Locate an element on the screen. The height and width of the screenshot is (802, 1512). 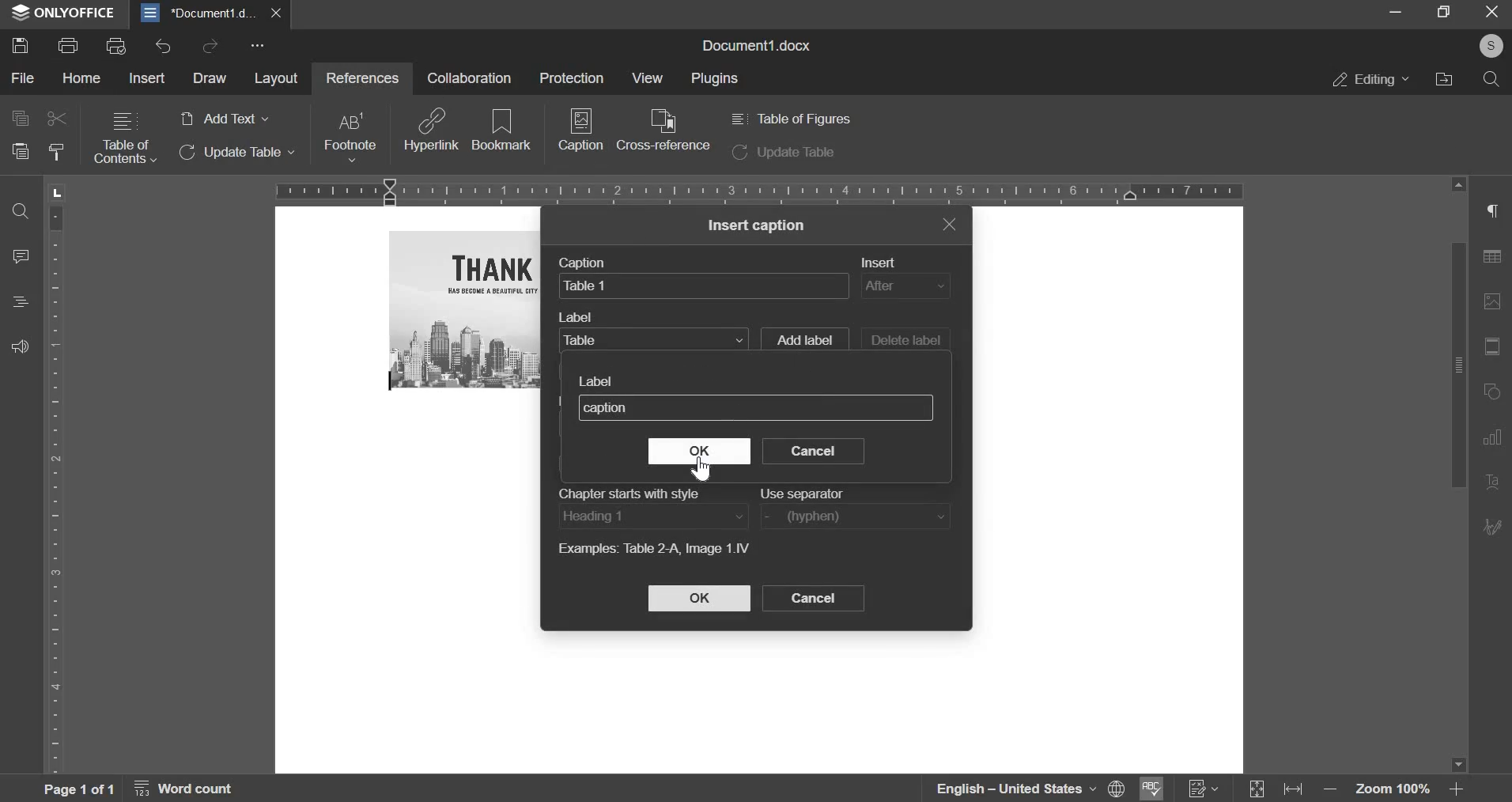
delete label is located at coordinates (905, 341).